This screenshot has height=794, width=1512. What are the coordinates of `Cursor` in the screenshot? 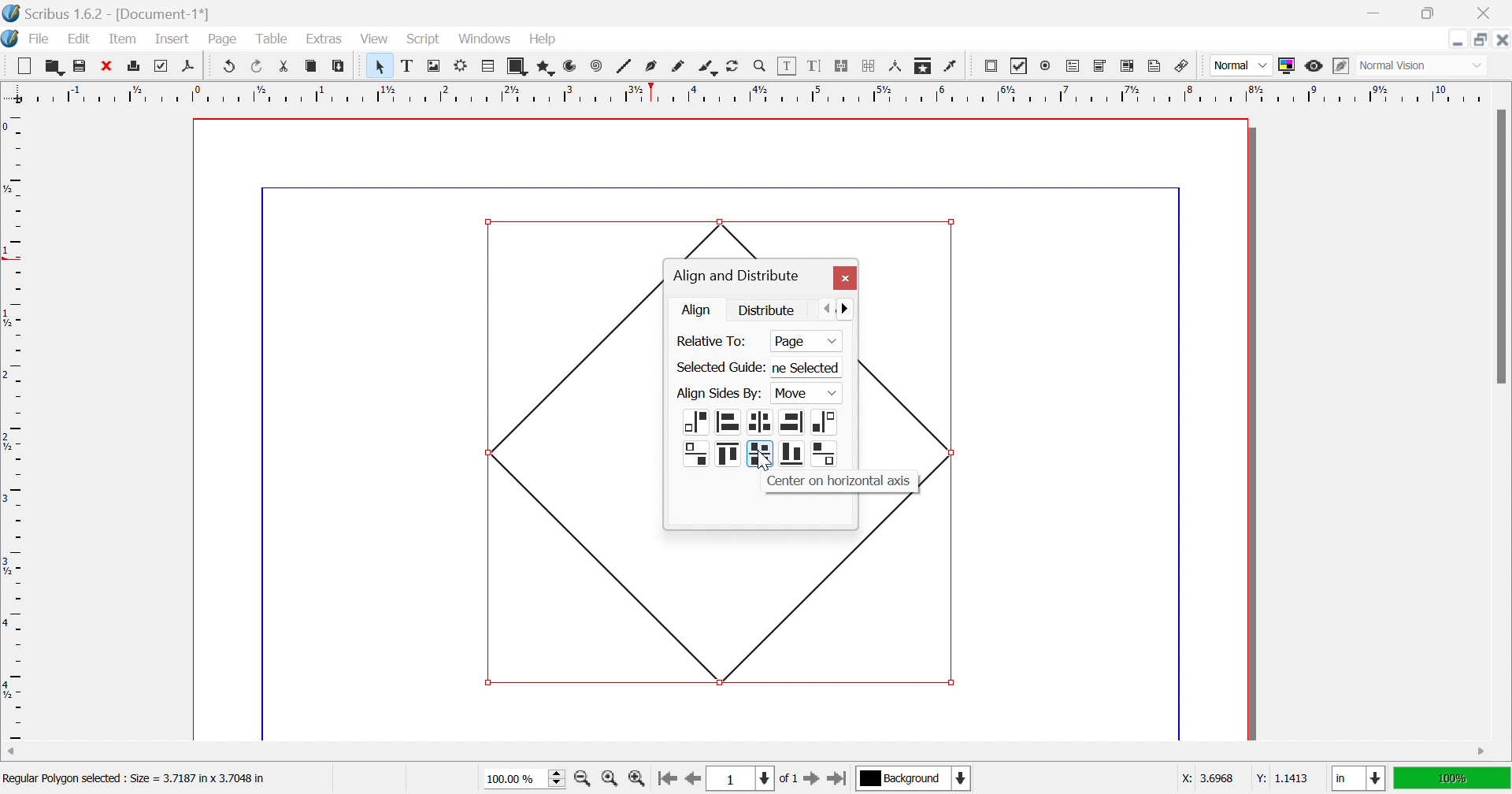 It's located at (763, 462).